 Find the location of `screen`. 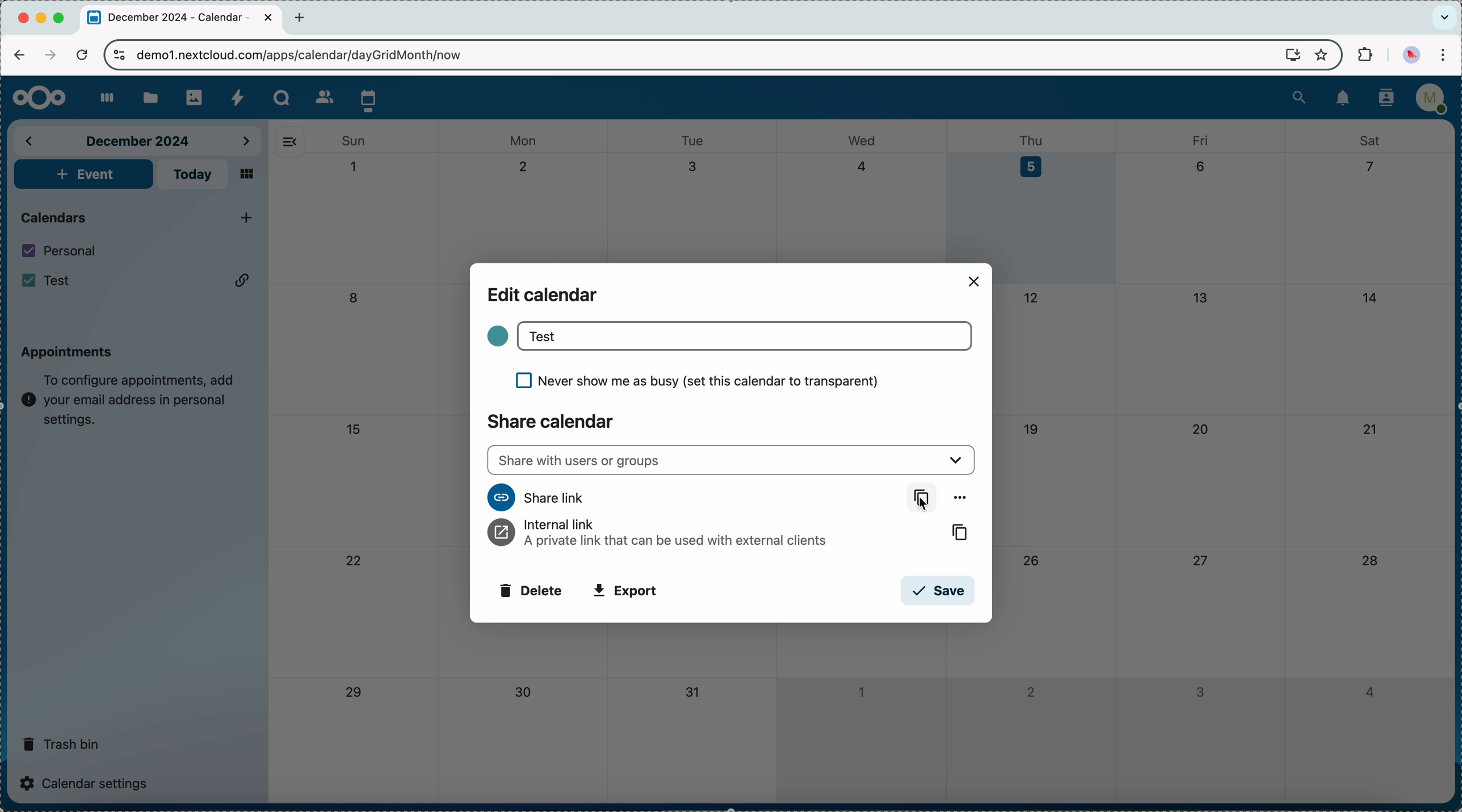

screen is located at coordinates (1287, 56).